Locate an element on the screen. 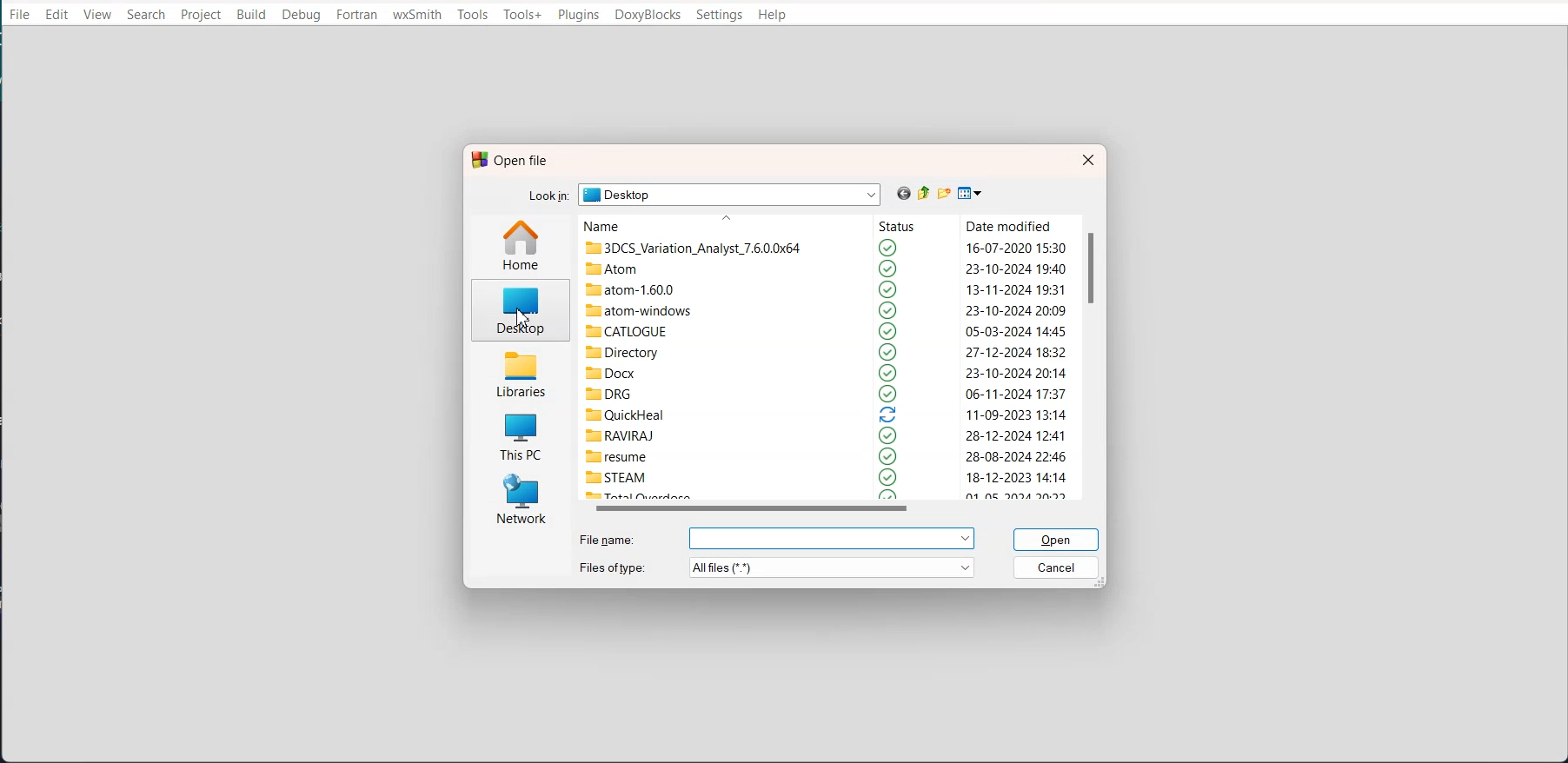 This screenshot has height=763, width=1568. Name is located at coordinates (624, 225).